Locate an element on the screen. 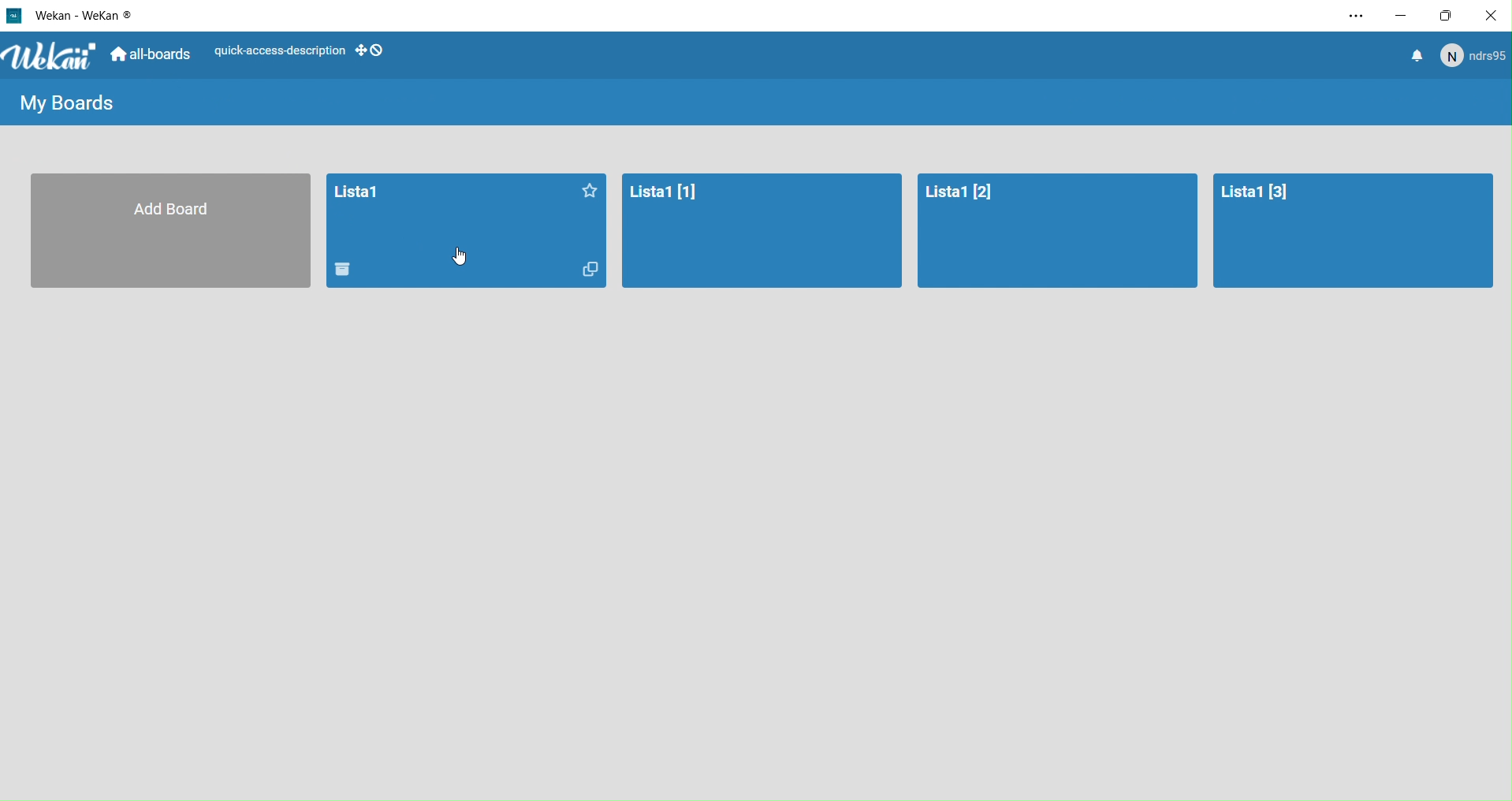 This screenshot has height=801, width=1512. WeKan logo is located at coordinates (53, 55).